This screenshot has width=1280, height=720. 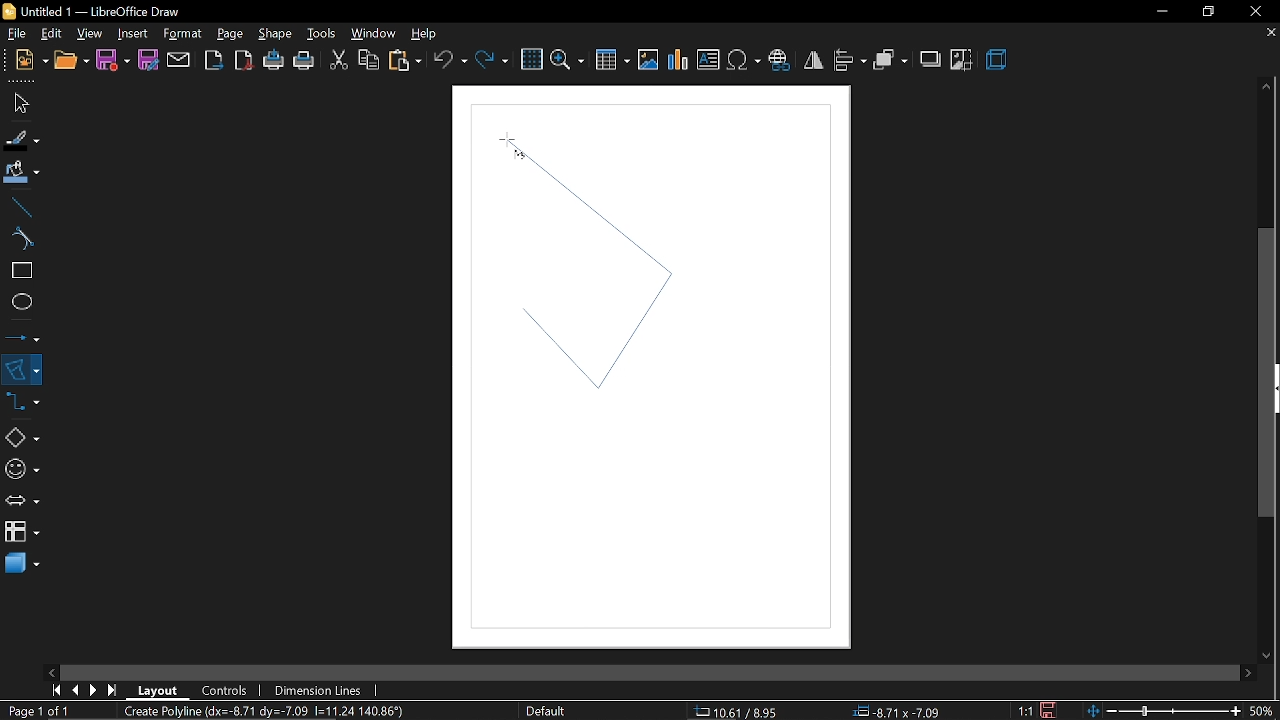 What do you see at coordinates (612, 59) in the screenshot?
I see `insert table` at bounding box center [612, 59].